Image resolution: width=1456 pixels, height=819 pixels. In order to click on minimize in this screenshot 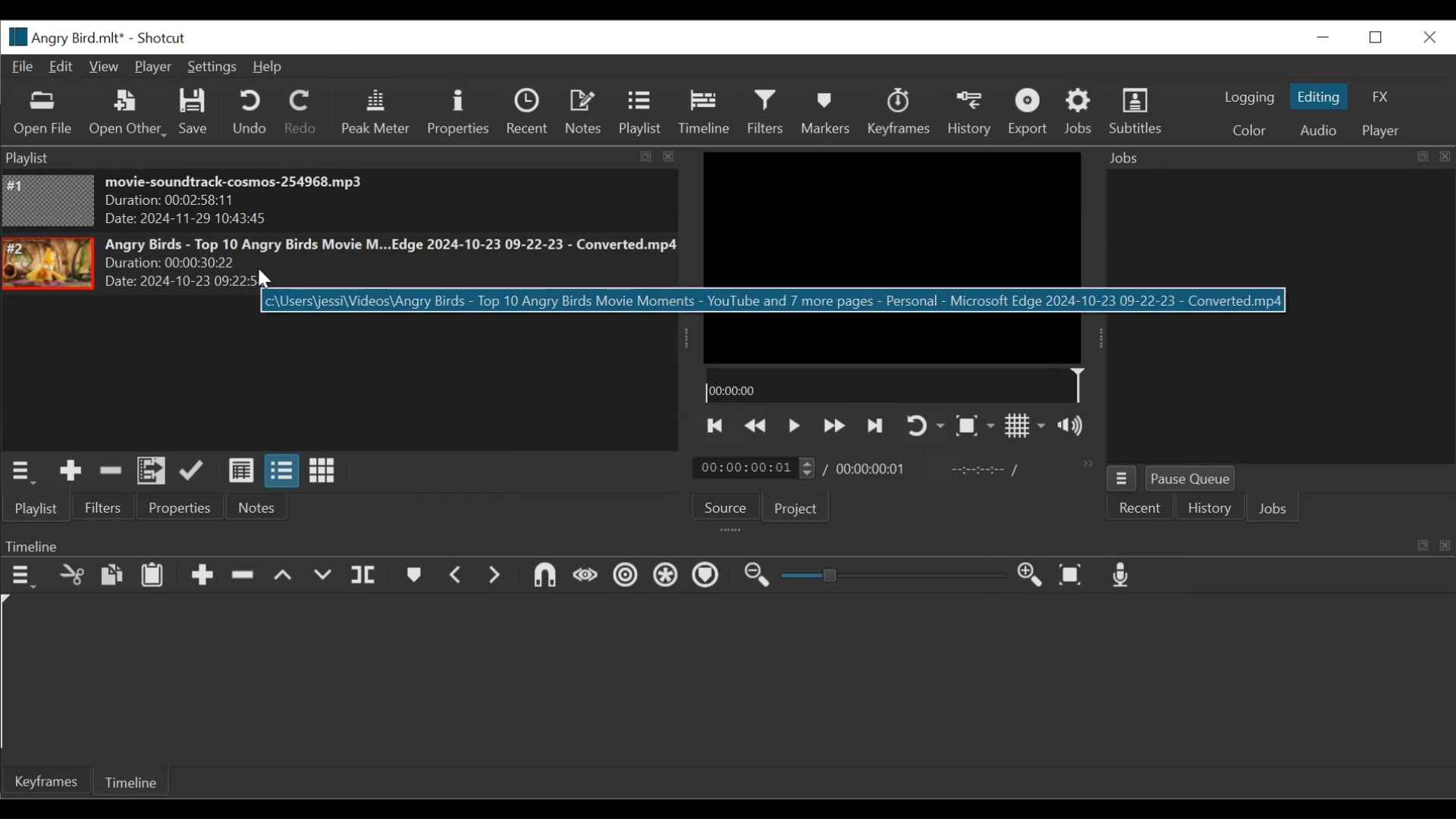, I will do `click(1323, 35)`.